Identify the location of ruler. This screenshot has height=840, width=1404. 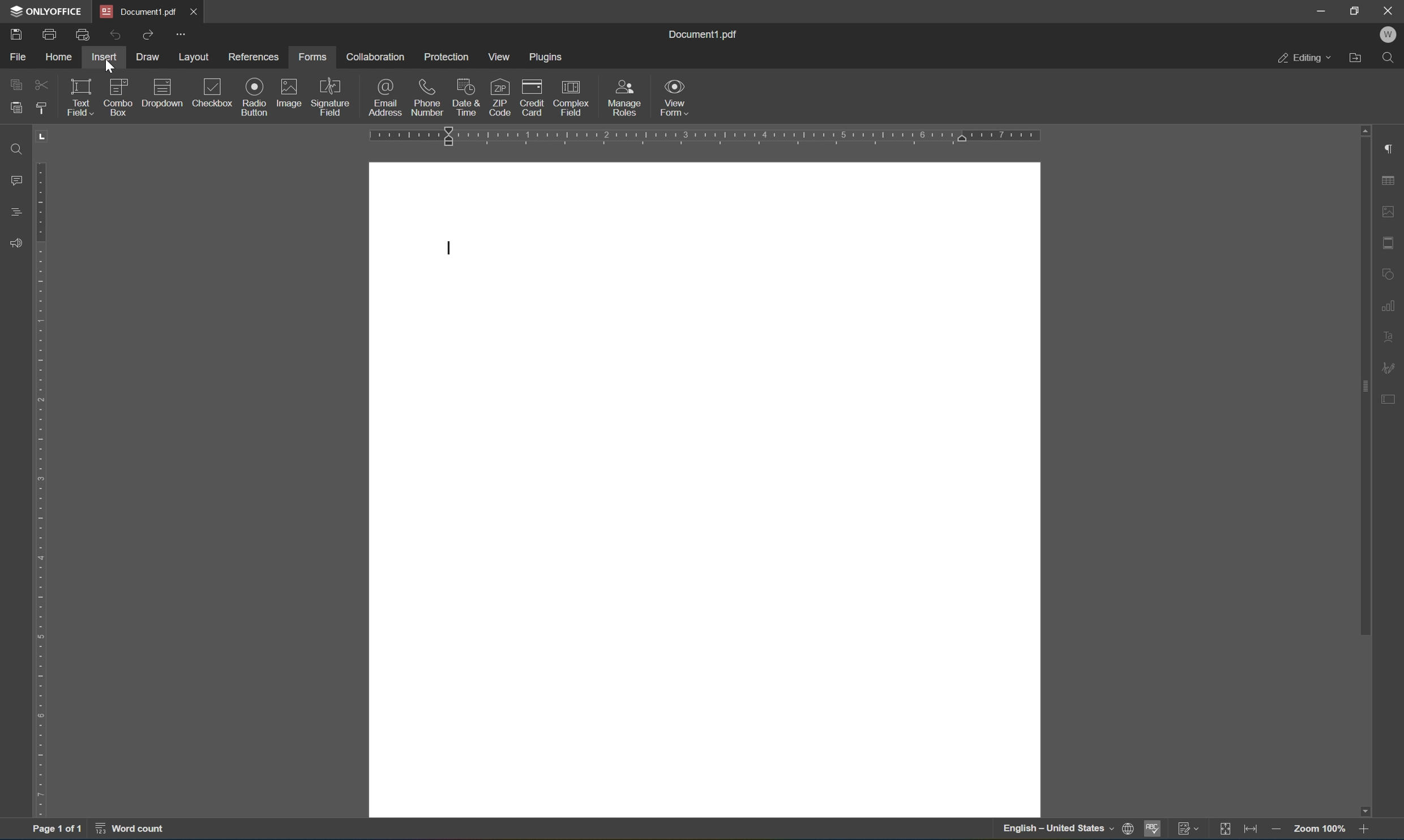
(41, 488).